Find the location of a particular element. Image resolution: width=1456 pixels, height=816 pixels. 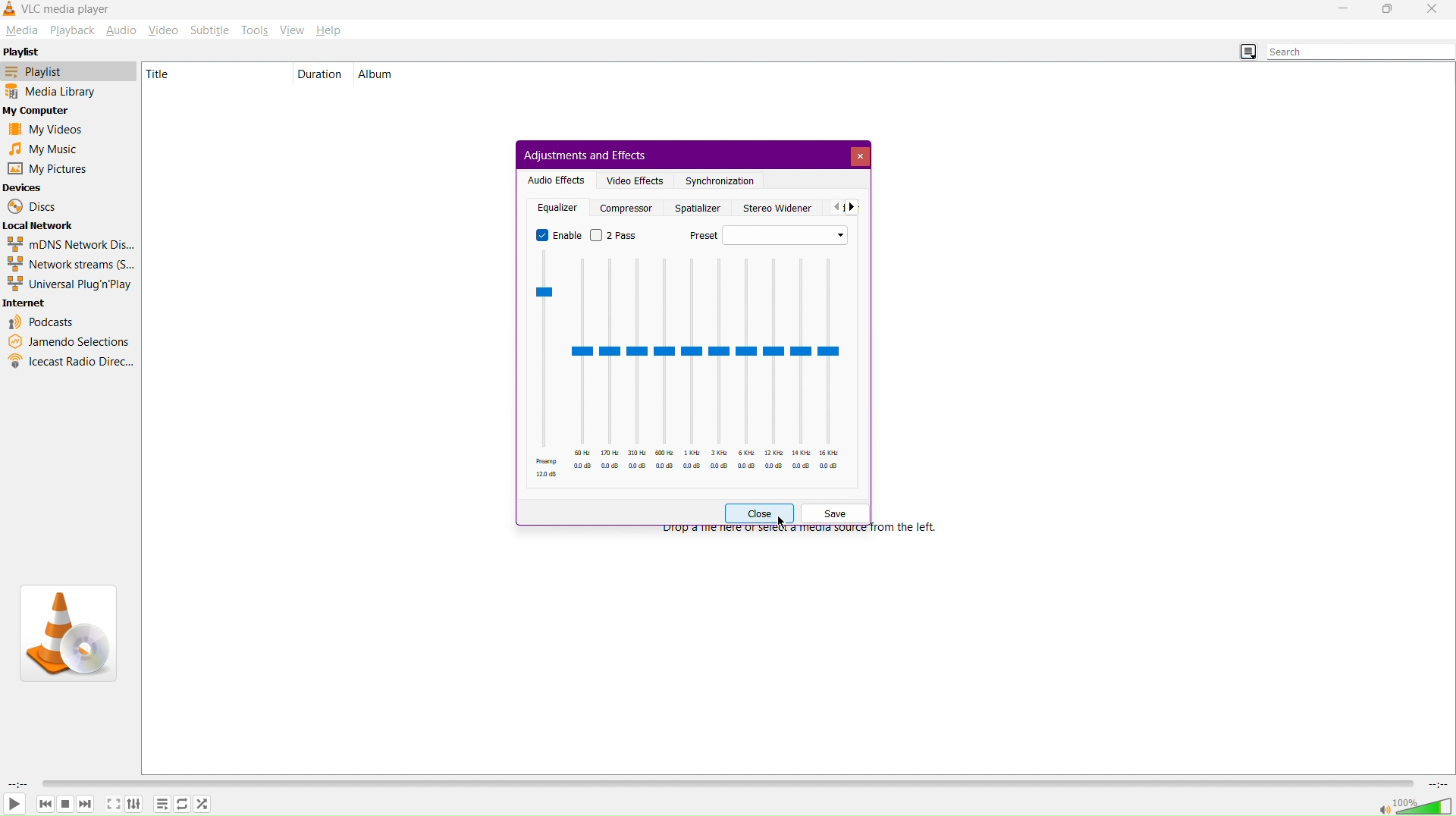

Back is located at coordinates (839, 207).